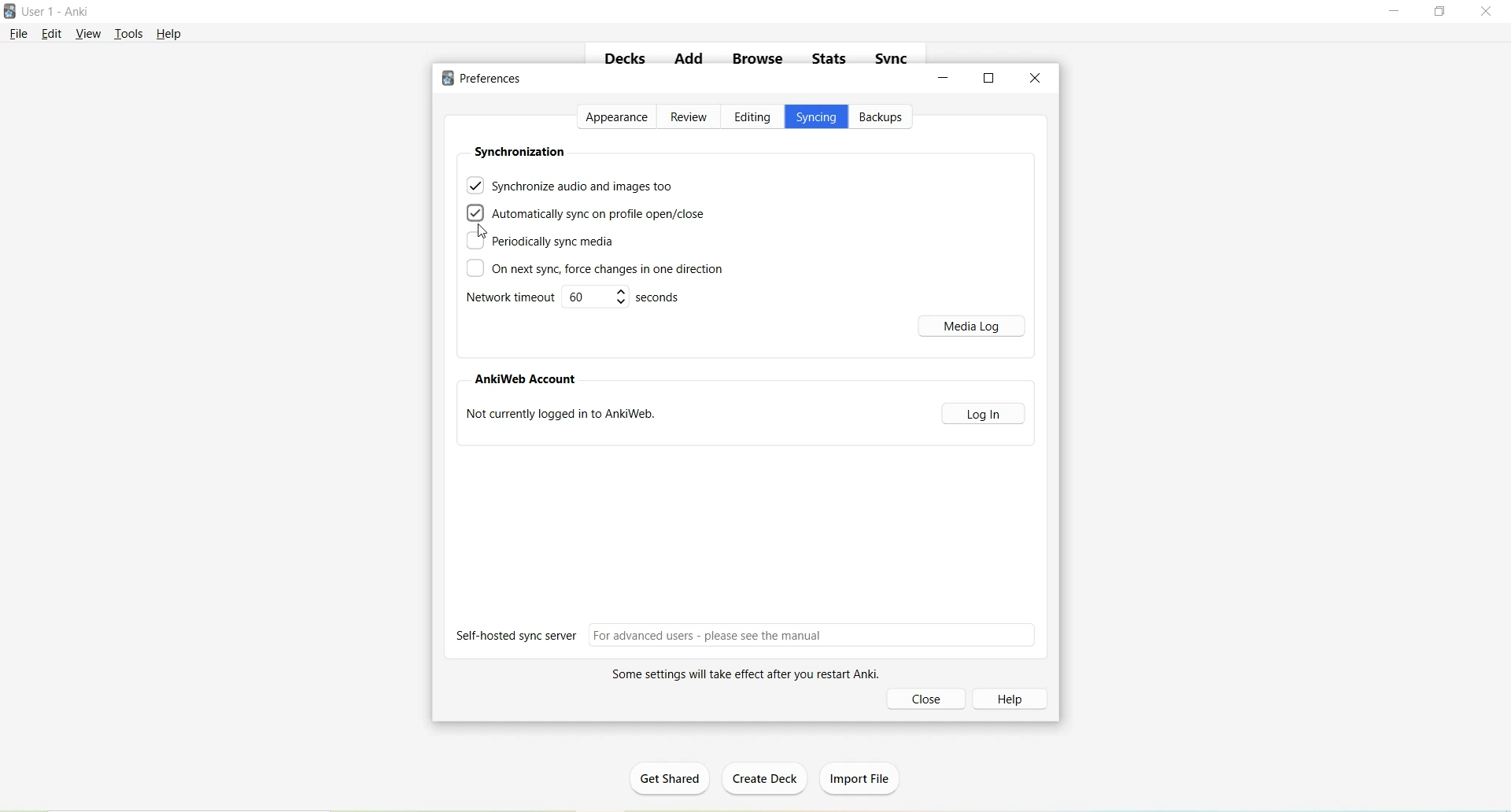 This screenshot has width=1511, height=812. I want to click on Review, so click(690, 118).